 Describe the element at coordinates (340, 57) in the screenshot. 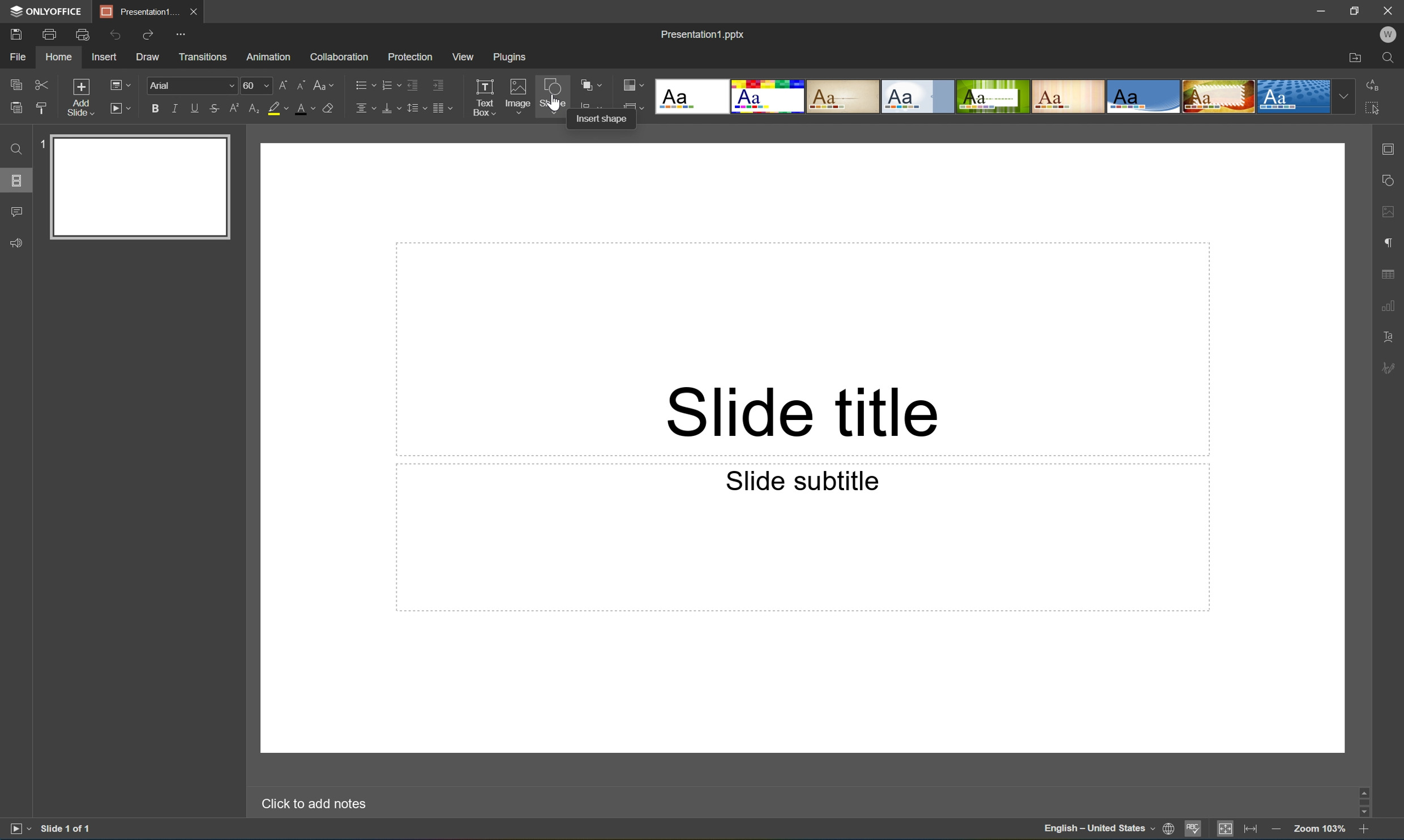

I see `Collaboration` at that location.